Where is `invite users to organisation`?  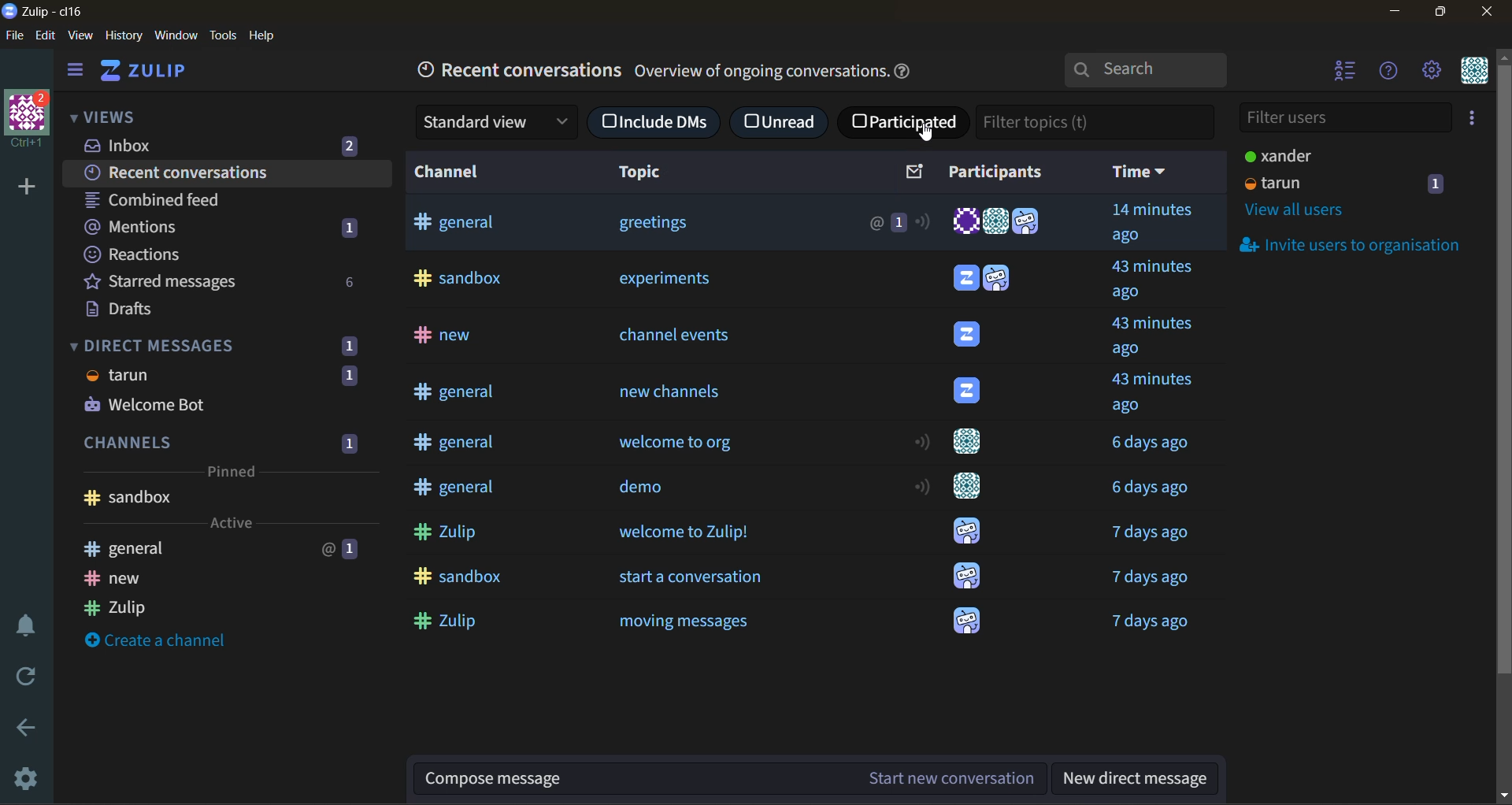 invite users to organisation is located at coordinates (1356, 247).